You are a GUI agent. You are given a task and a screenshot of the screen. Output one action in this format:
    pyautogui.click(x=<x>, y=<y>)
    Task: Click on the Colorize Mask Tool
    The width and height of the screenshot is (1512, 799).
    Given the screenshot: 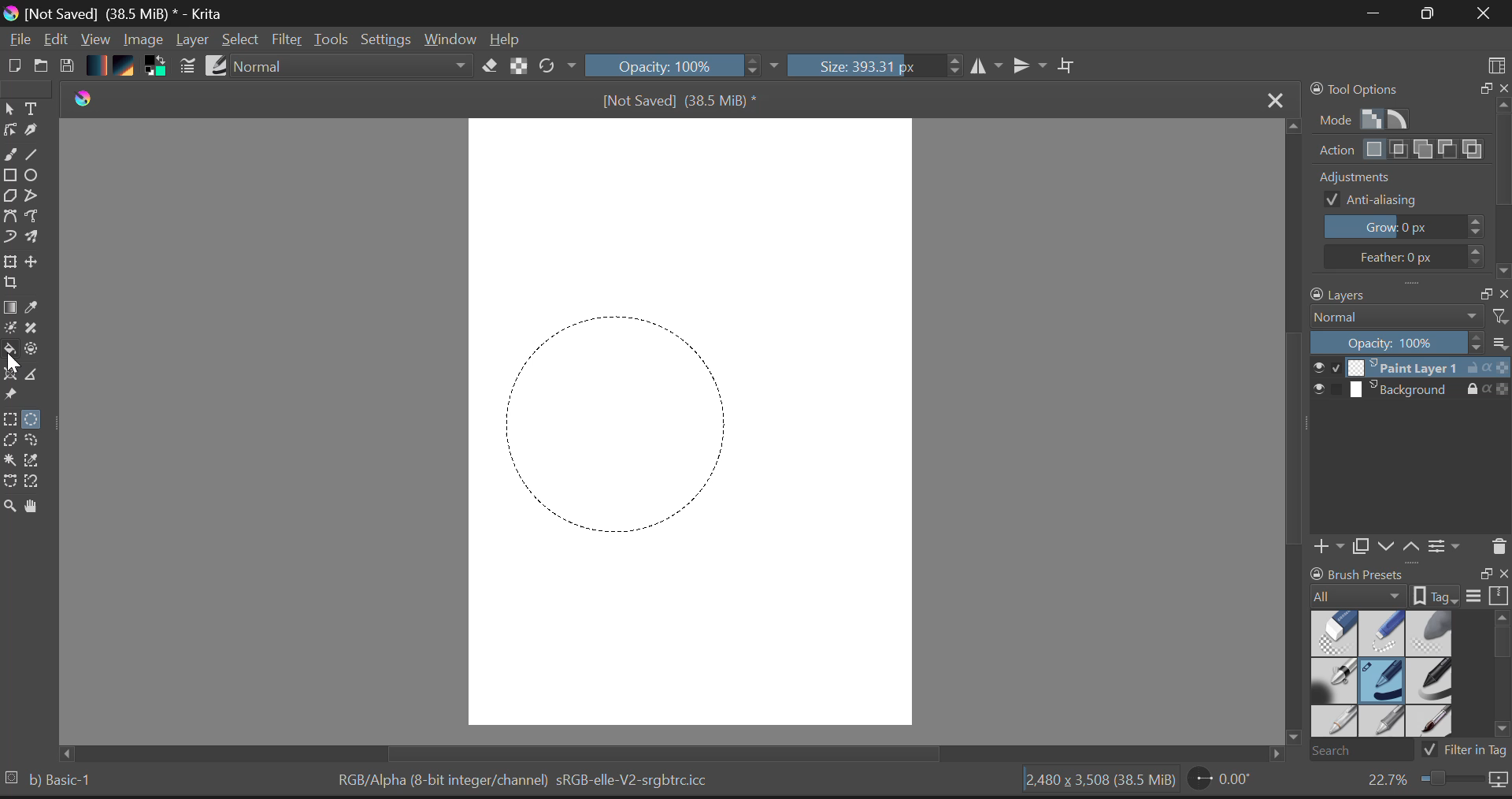 What is the action you would take?
    pyautogui.click(x=9, y=329)
    